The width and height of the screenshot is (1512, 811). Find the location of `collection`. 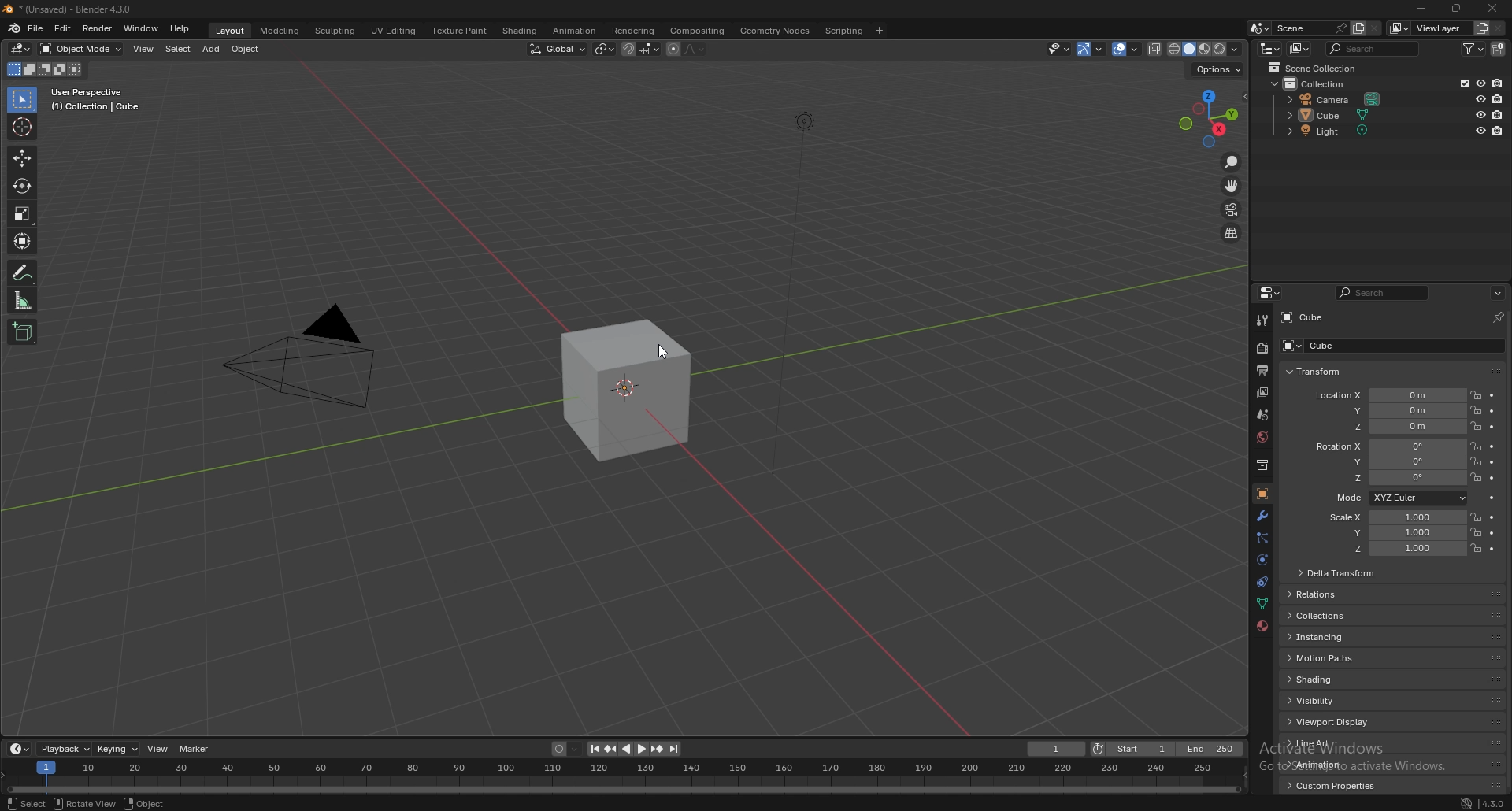

collection is located at coordinates (1317, 83).